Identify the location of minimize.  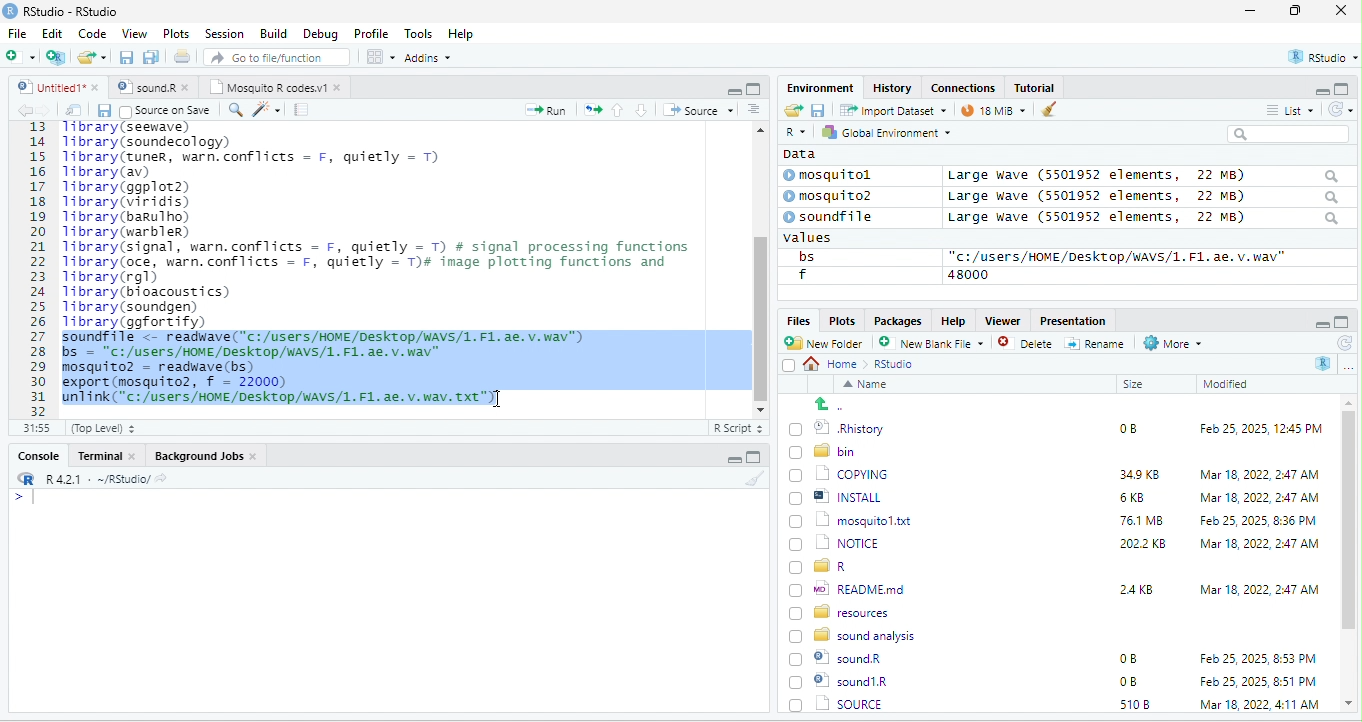
(731, 460).